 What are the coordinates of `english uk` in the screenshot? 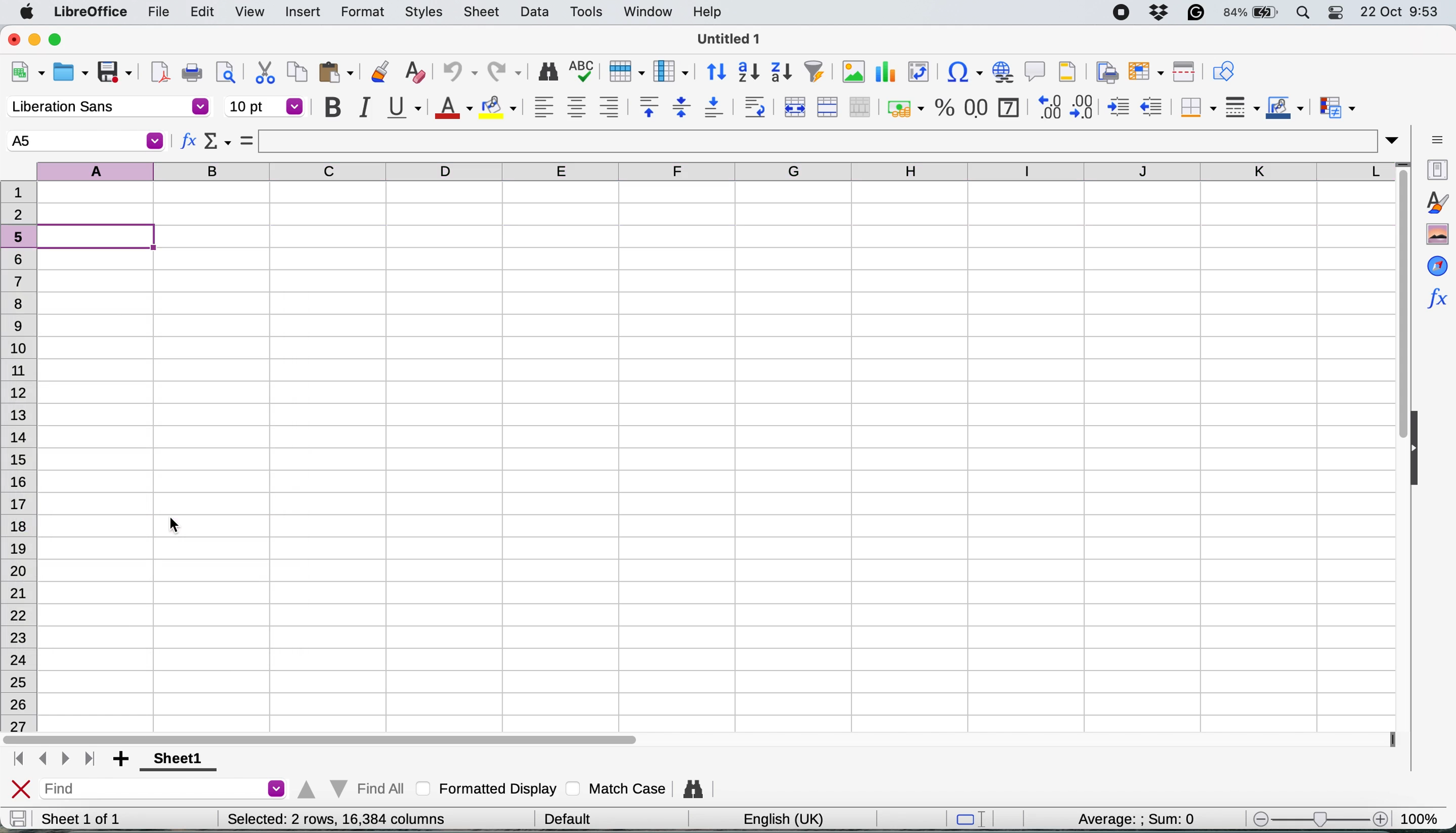 It's located at (783, 819).